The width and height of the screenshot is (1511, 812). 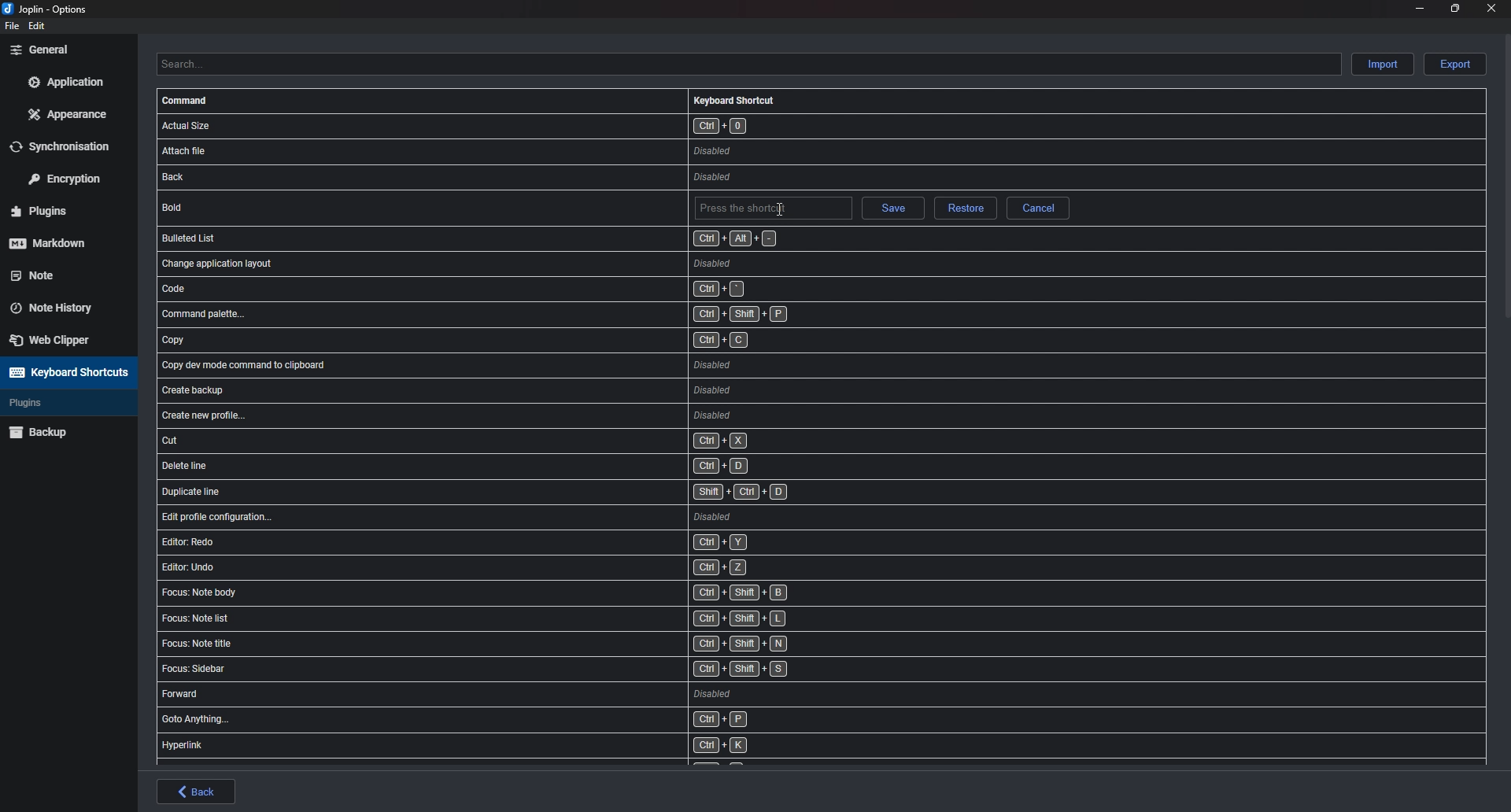 What do you see at coordinates (517, 621) in the screenshot?
I see `shortcut` at bounding box center [517, 621].